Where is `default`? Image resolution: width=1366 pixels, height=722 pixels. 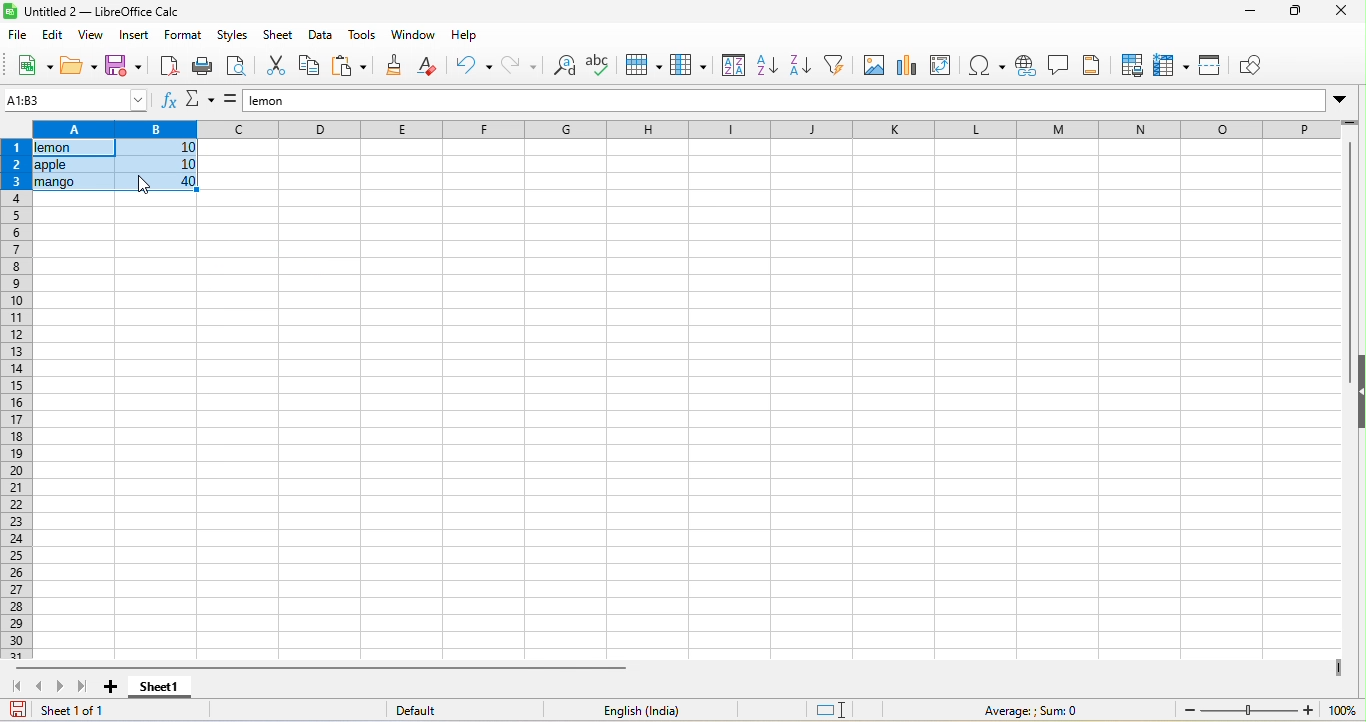
default is located at coordinates (460, 709).